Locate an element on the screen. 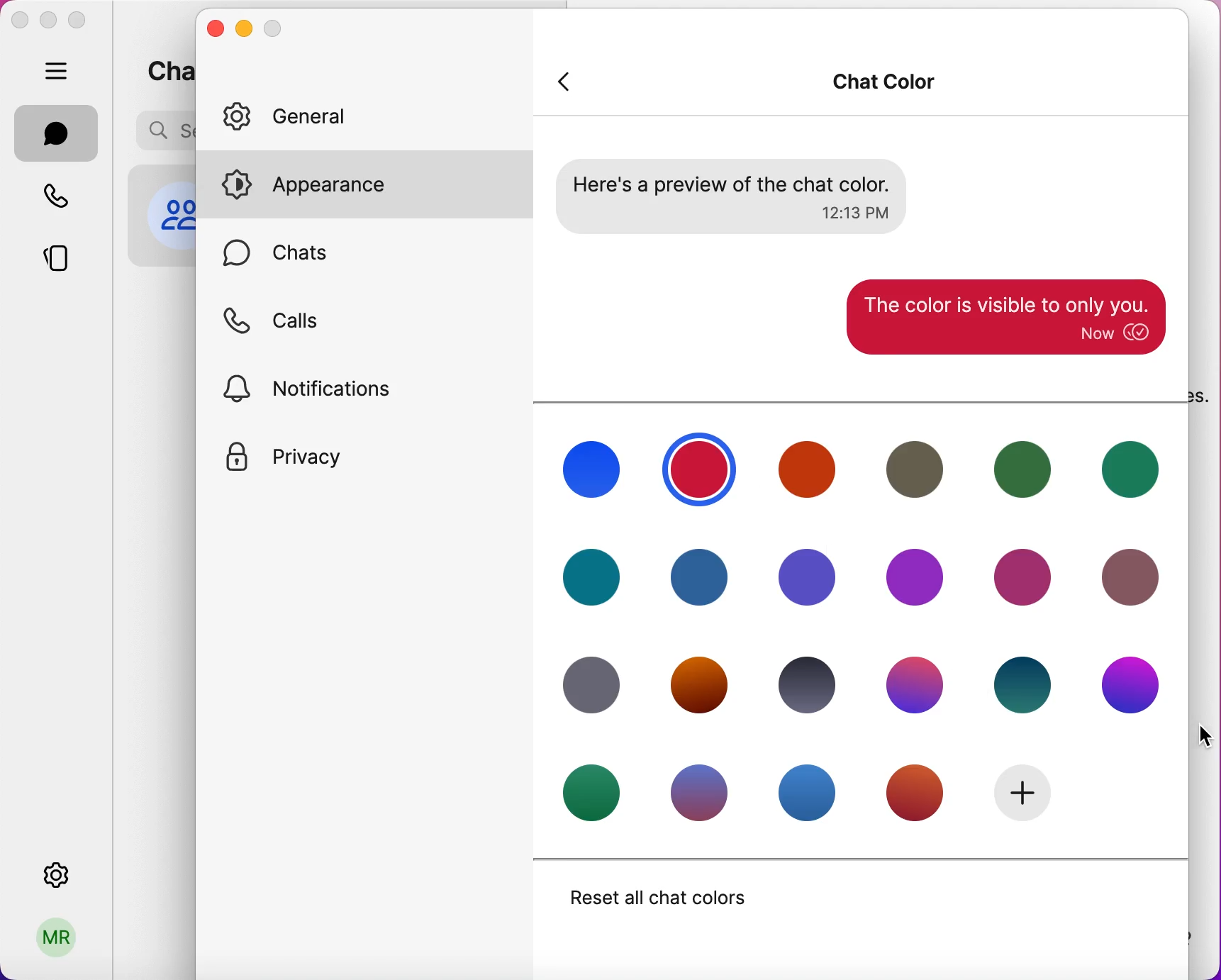 This screenshot has width=1221, height=980. notifications is located at coordinates (316, 387).